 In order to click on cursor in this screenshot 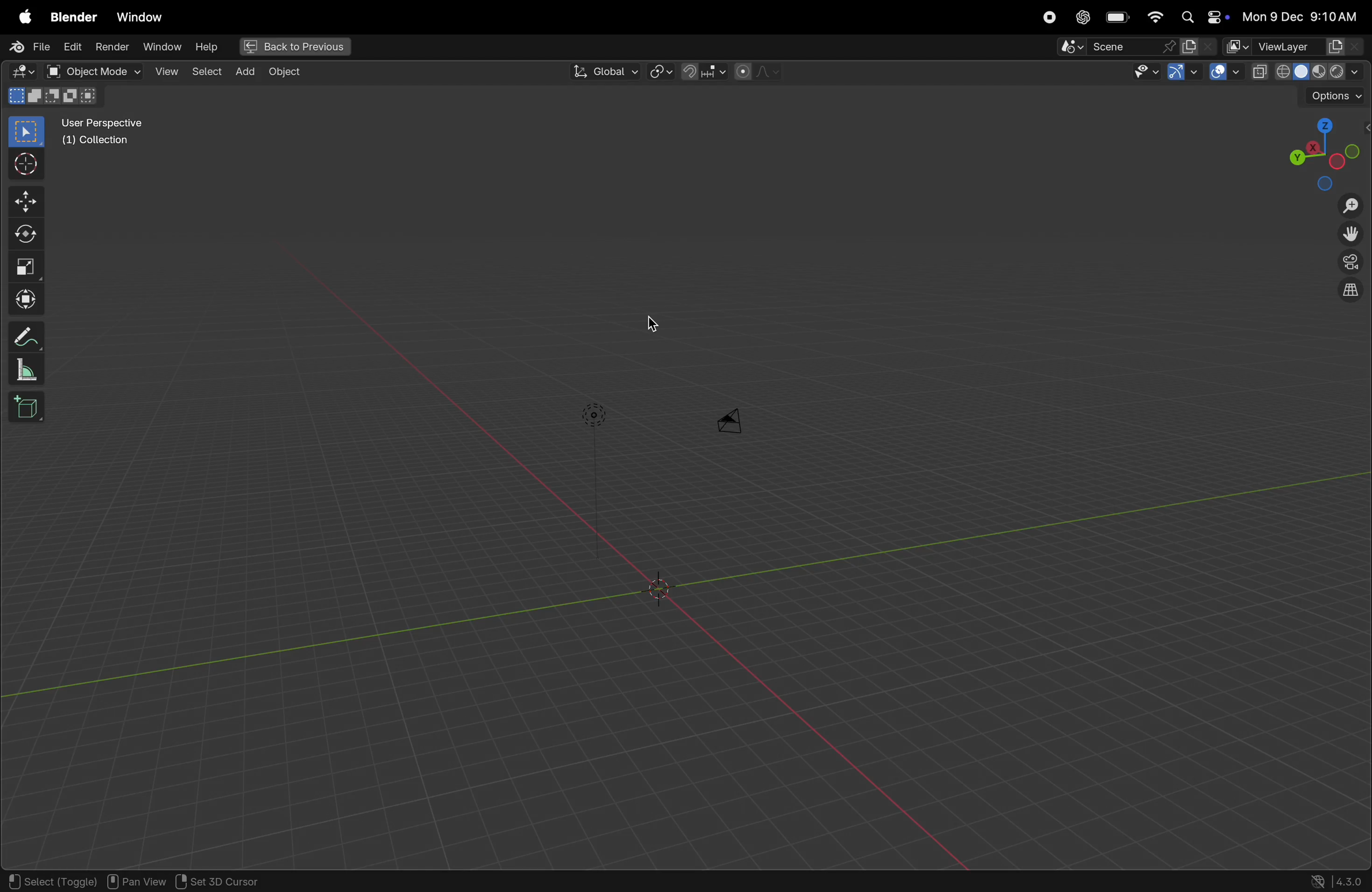, I will do `click(655, 322)`.